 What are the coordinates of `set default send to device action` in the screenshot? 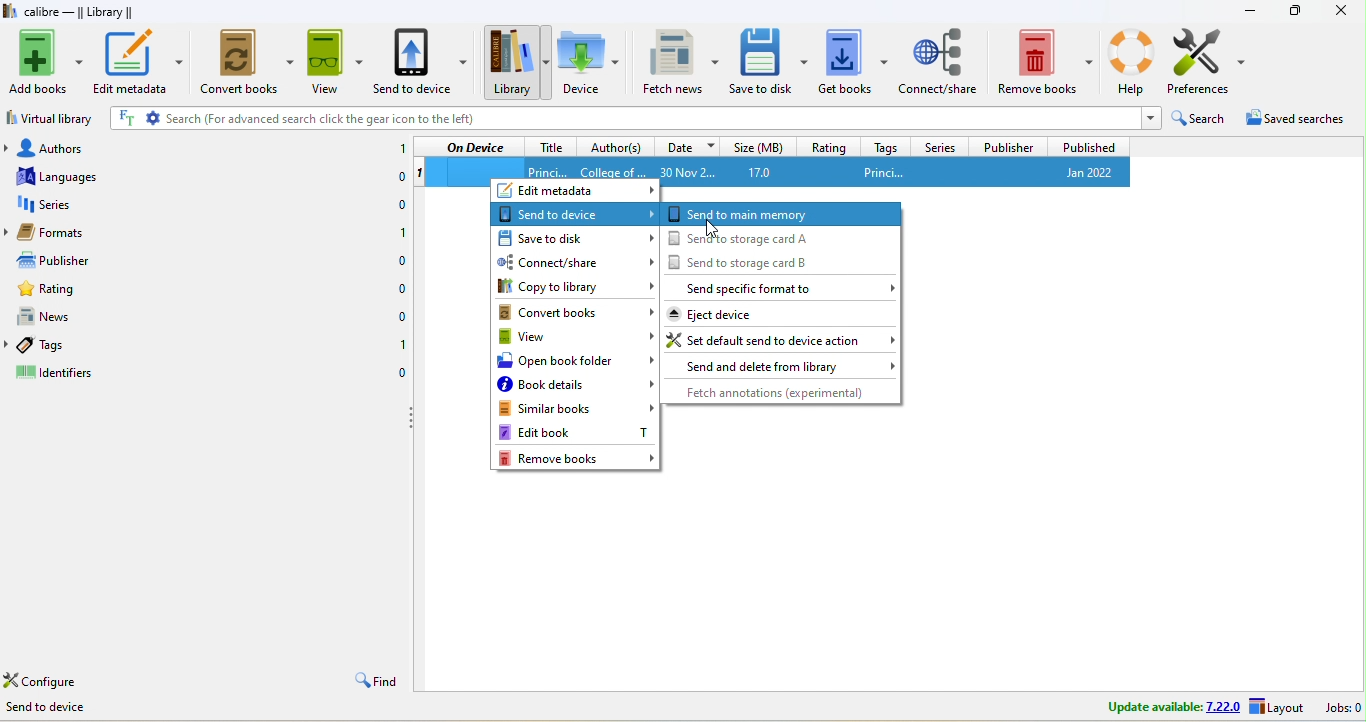 It's located at (781, 338).